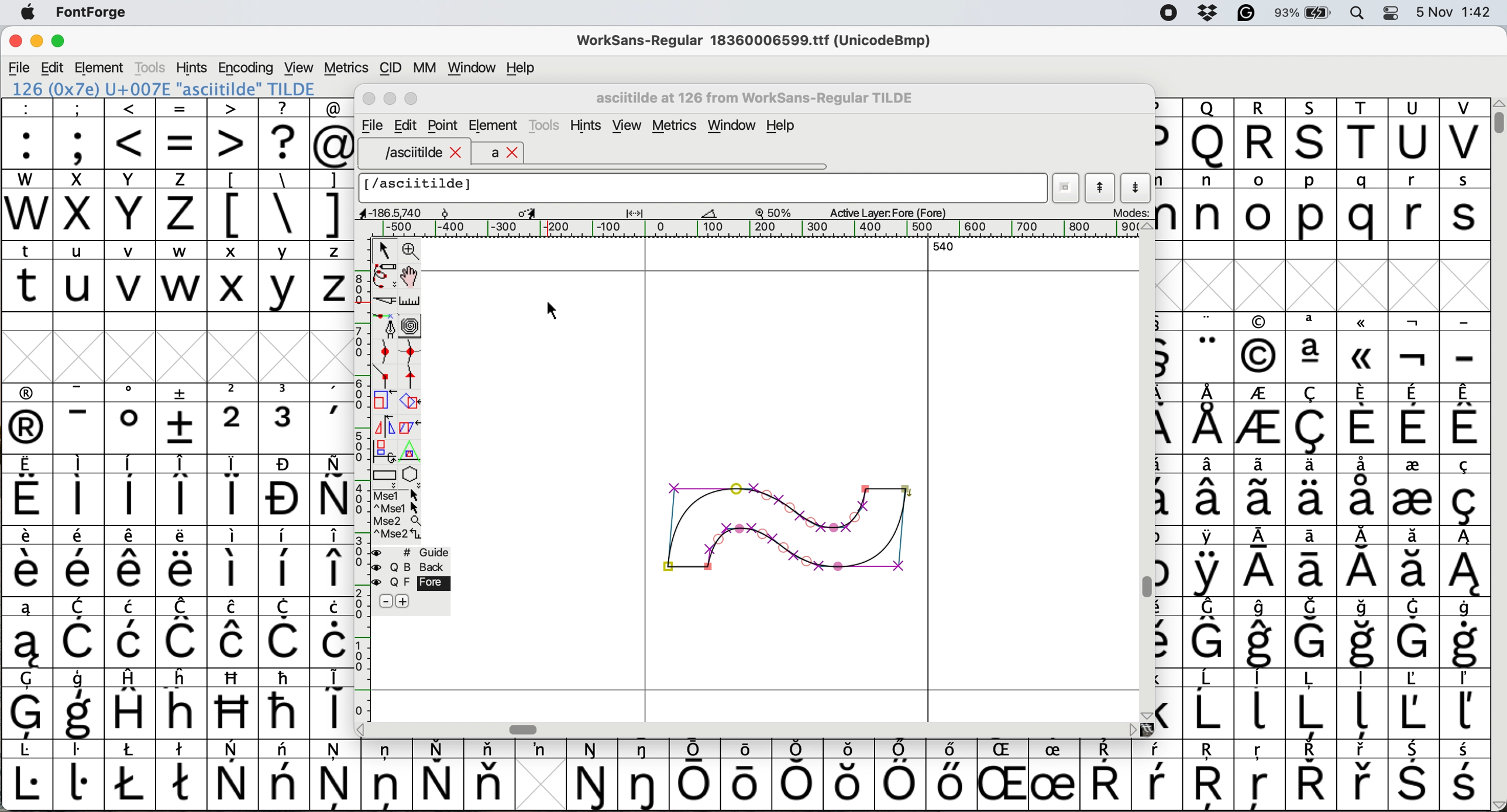  What do you see at coordinates (183, 773) in the screenshot?
I see `symbol` at bounding box center [183, 773].